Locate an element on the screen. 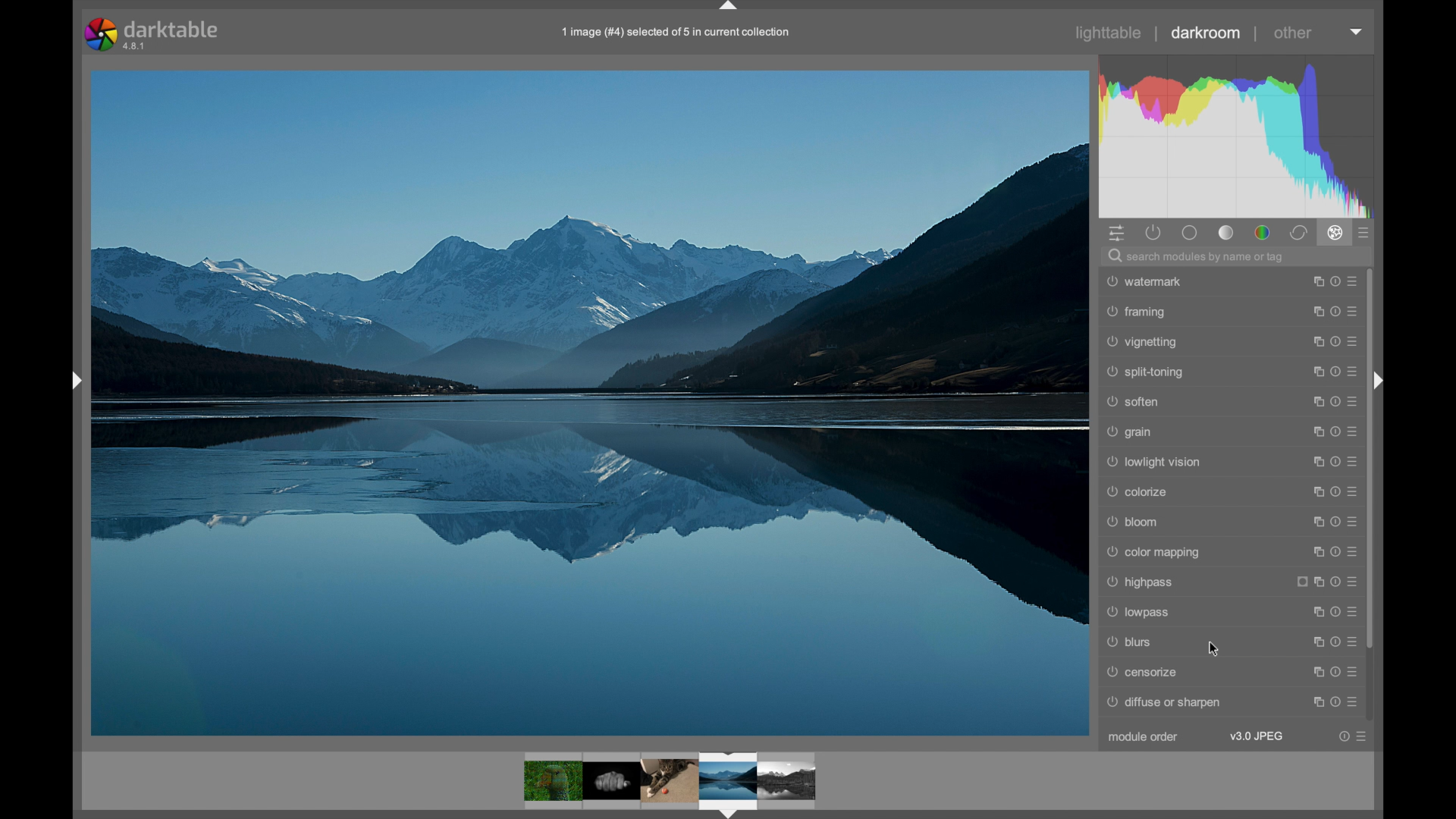 The height and width of the screenshot is (819, 1456). more options is located at coordinates (1352, 554).